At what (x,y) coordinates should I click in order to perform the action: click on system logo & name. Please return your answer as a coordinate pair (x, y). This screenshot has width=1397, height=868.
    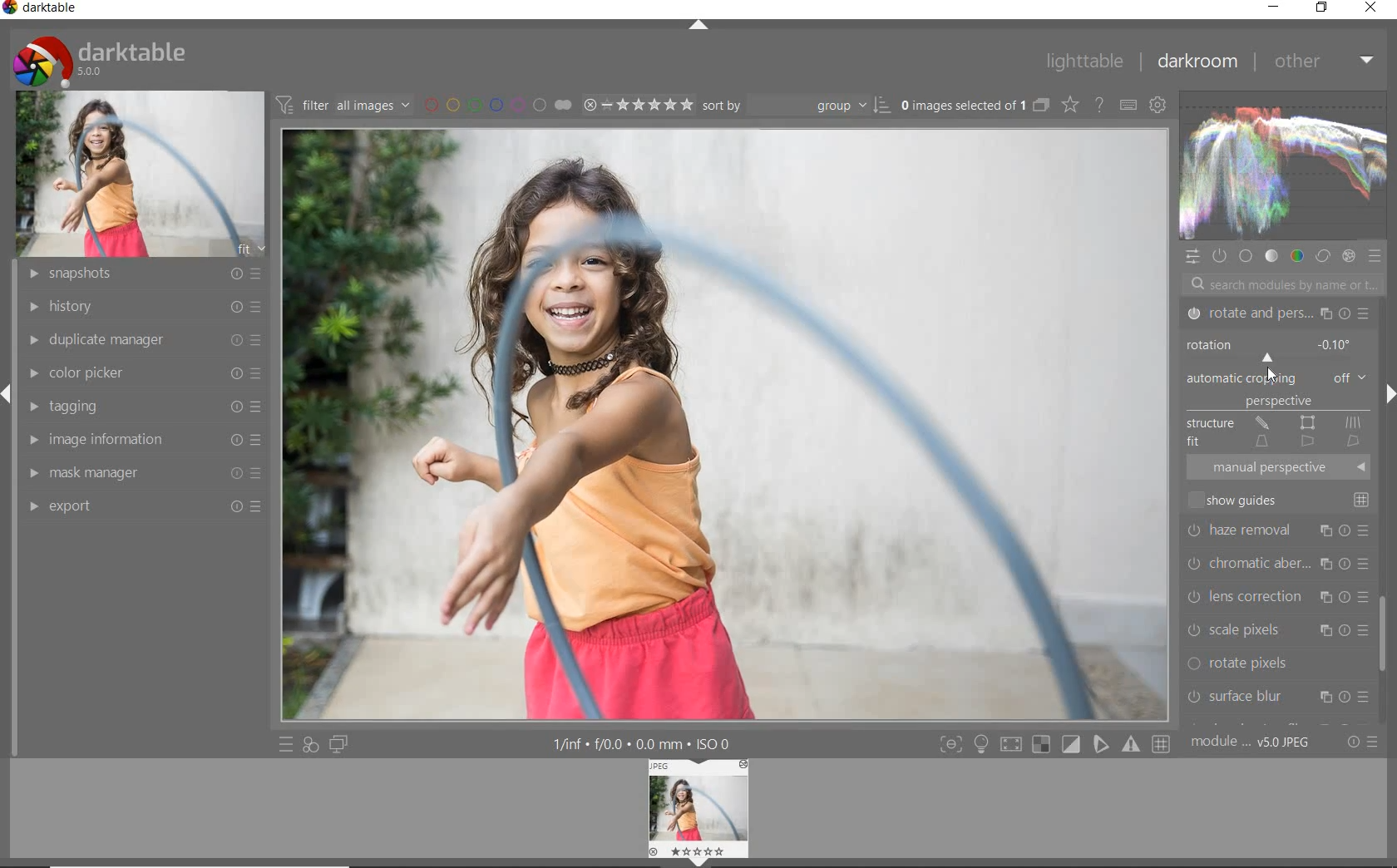
    Looking at the image, I should click on (103, 61).